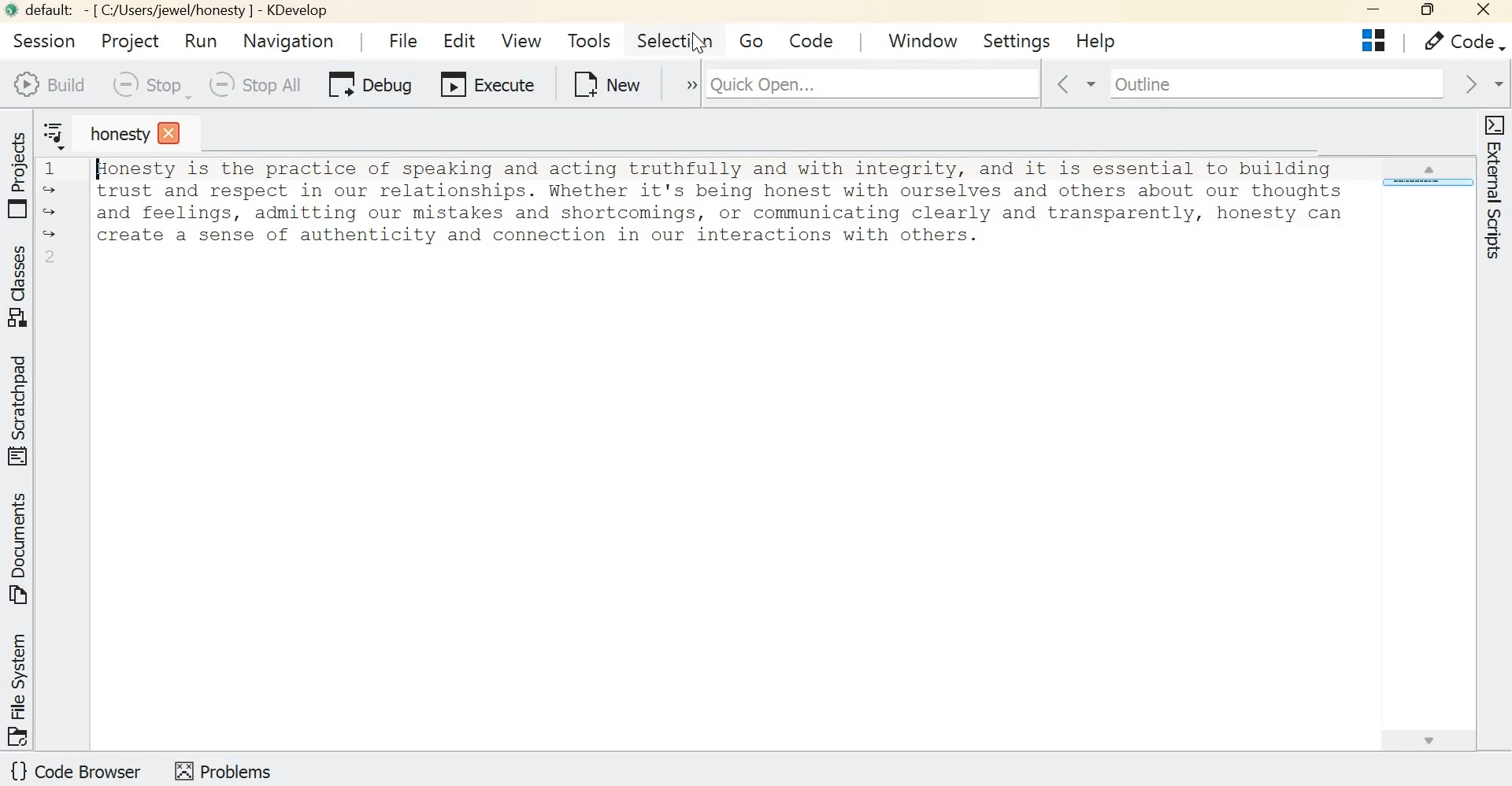  I want to click on Go forward in context history, so click(1480, 83).